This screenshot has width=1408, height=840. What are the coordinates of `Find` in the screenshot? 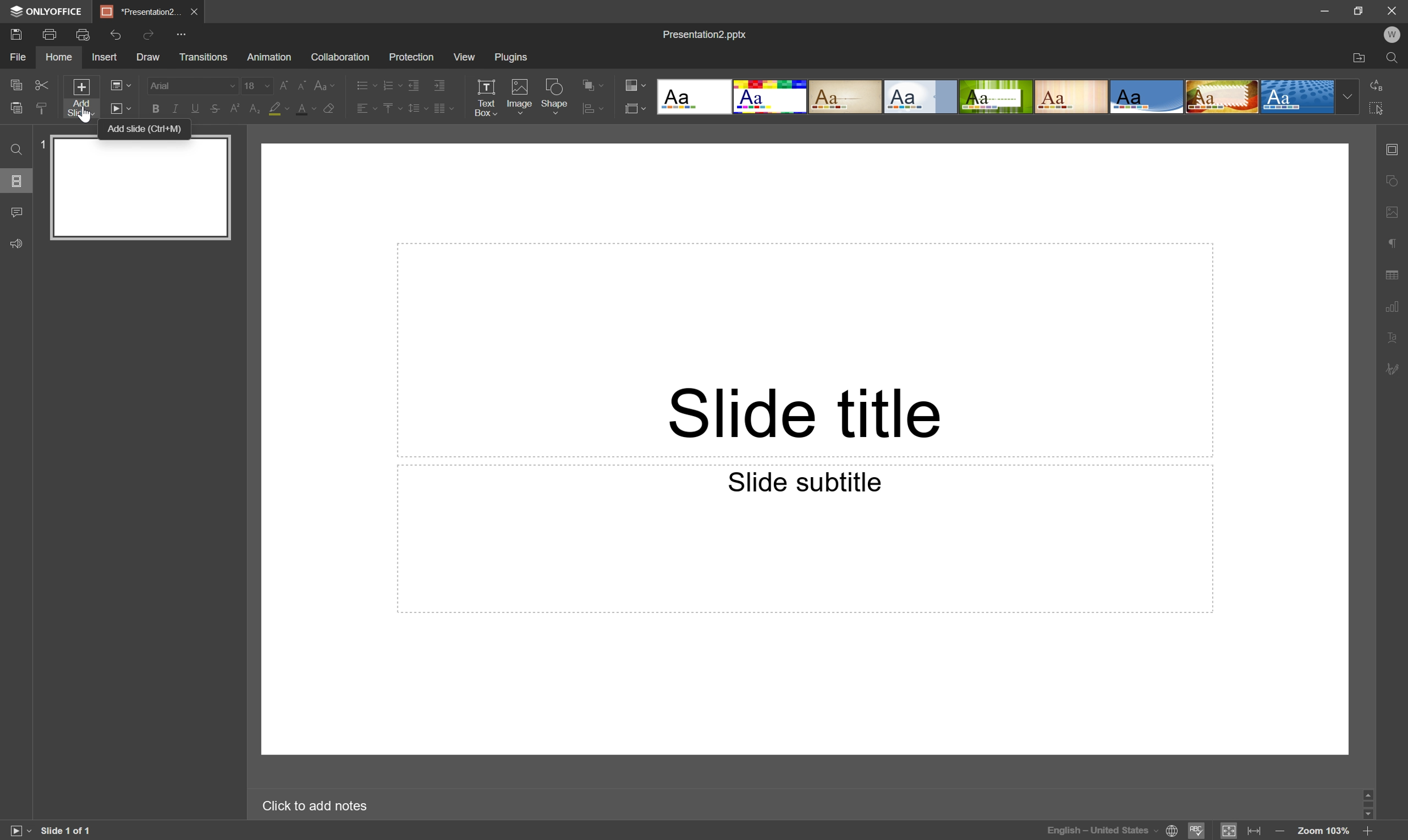 It's located at (1395, 57).